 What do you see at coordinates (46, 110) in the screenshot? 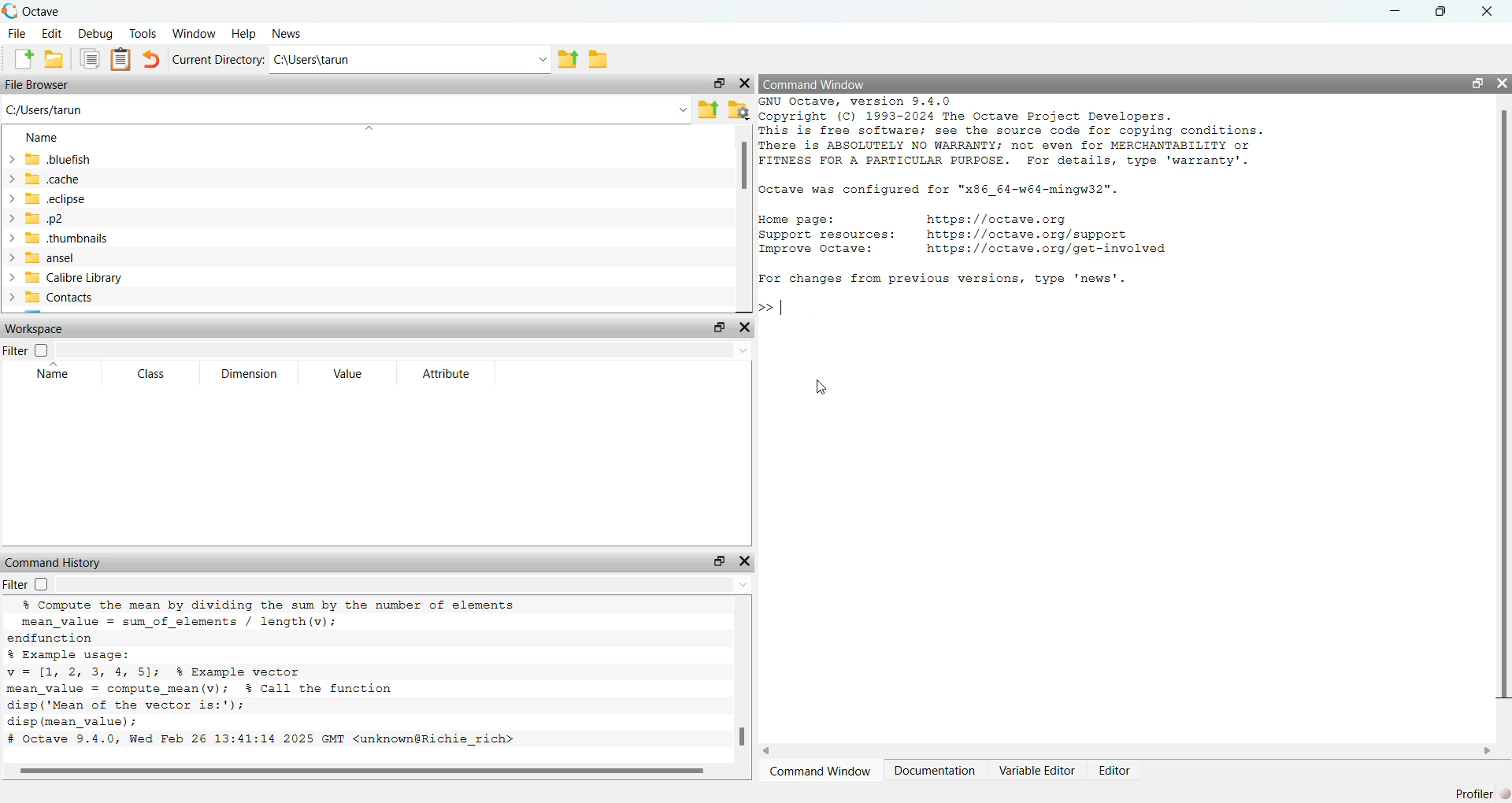
I see `C:/Users/tarun` at bounding box center [46, 110].